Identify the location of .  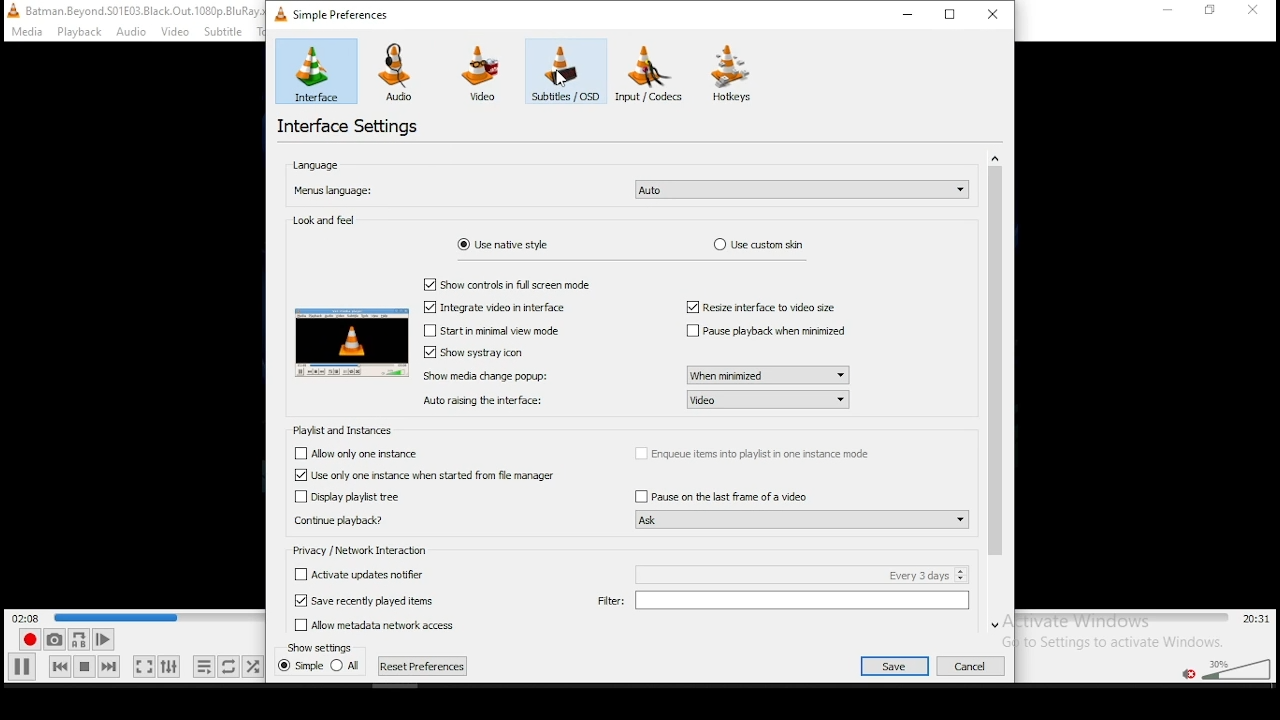
(371, 552).